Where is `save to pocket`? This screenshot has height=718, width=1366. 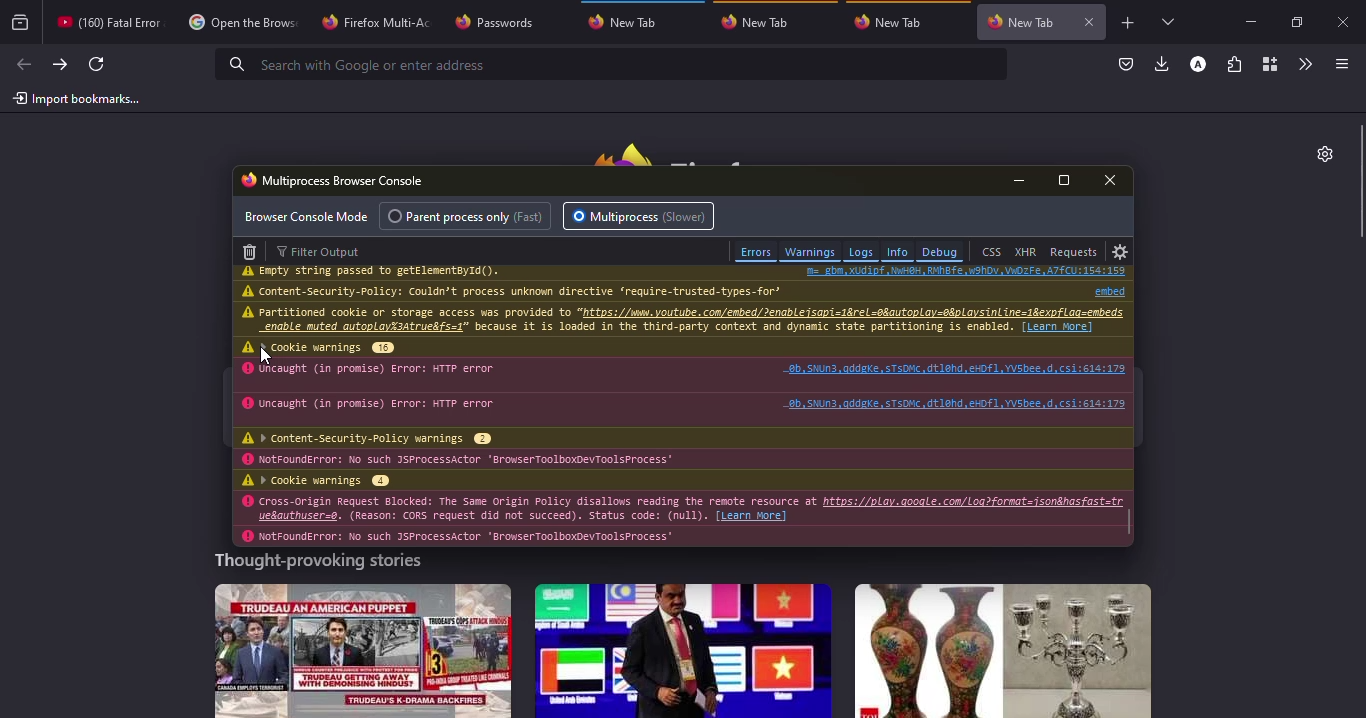 save to pocket is located at coordinates (1124, 64).